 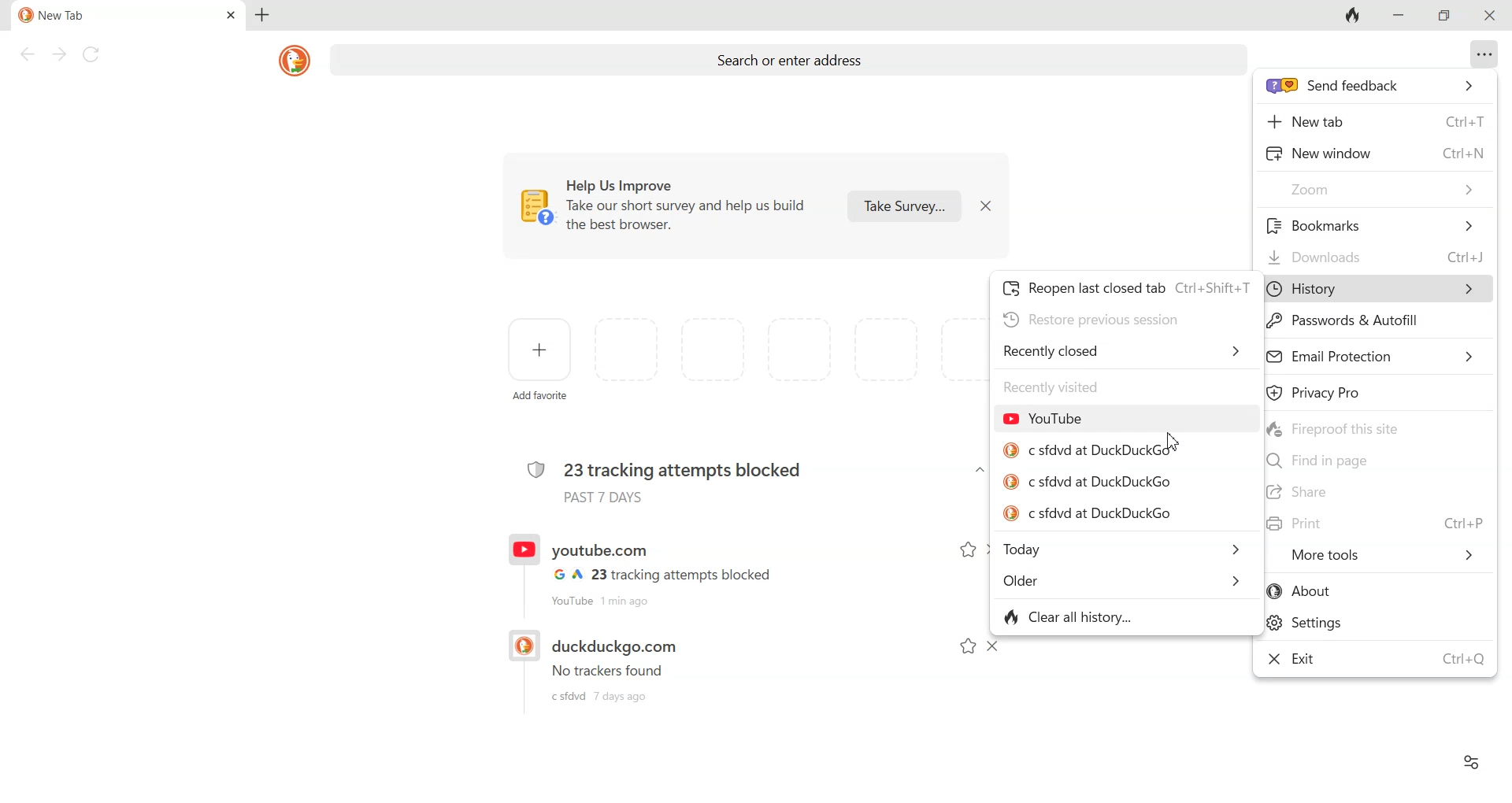 I want to click on 23 tracking attempts blocked, so click(x=665, y=478).